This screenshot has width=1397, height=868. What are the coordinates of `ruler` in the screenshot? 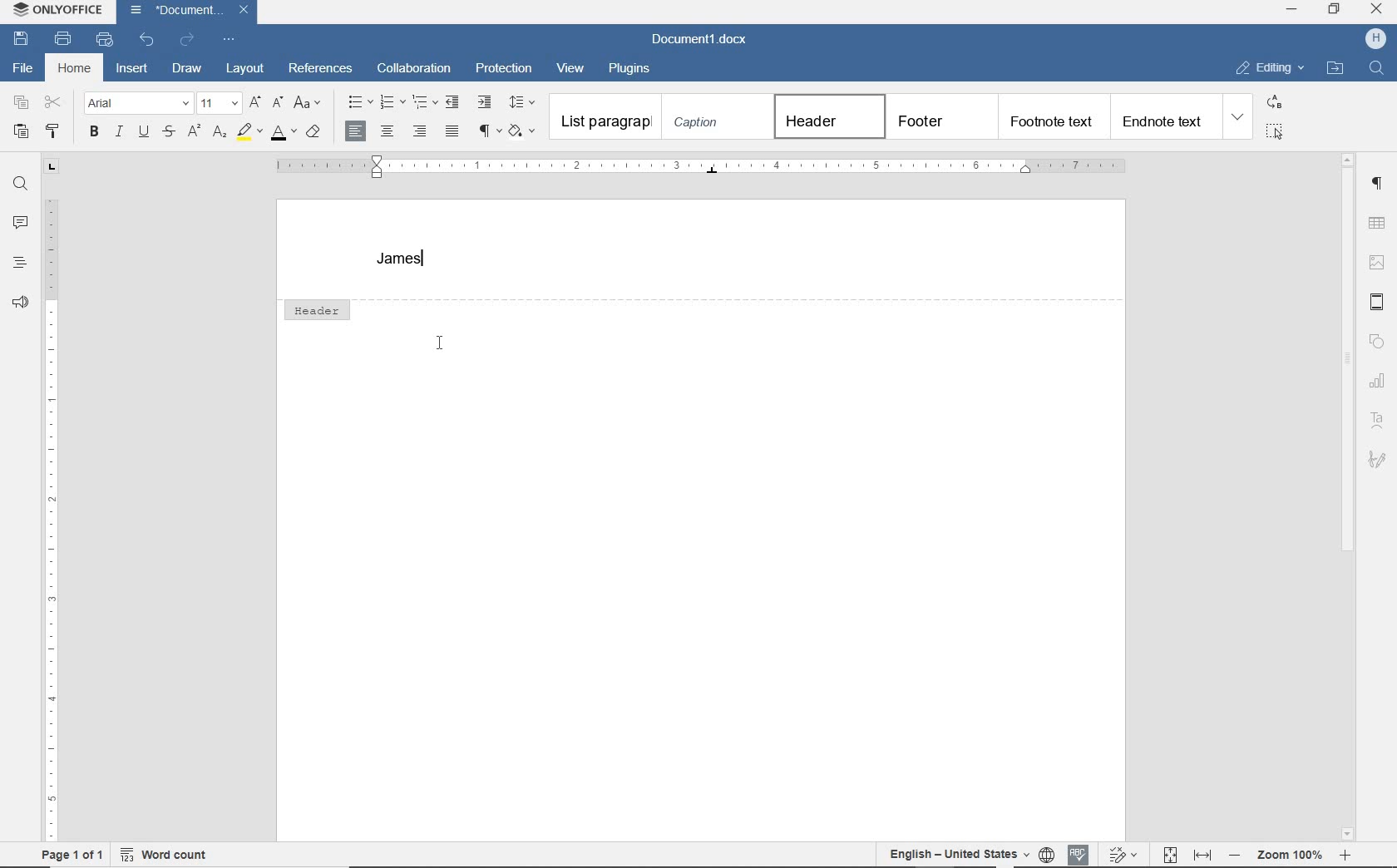 It's located at (694, 167).